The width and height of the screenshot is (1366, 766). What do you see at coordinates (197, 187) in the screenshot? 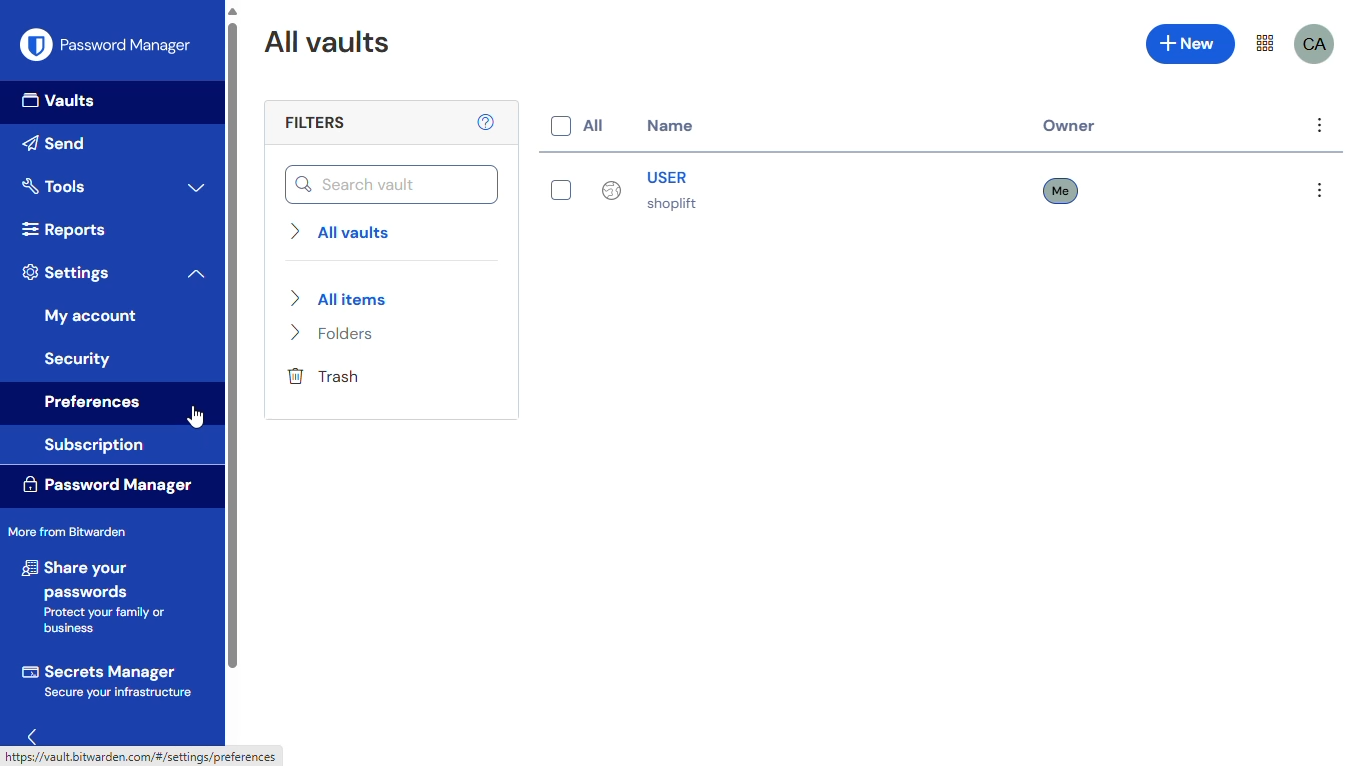
I see `toggle expand` at bounding box center [197, 187].